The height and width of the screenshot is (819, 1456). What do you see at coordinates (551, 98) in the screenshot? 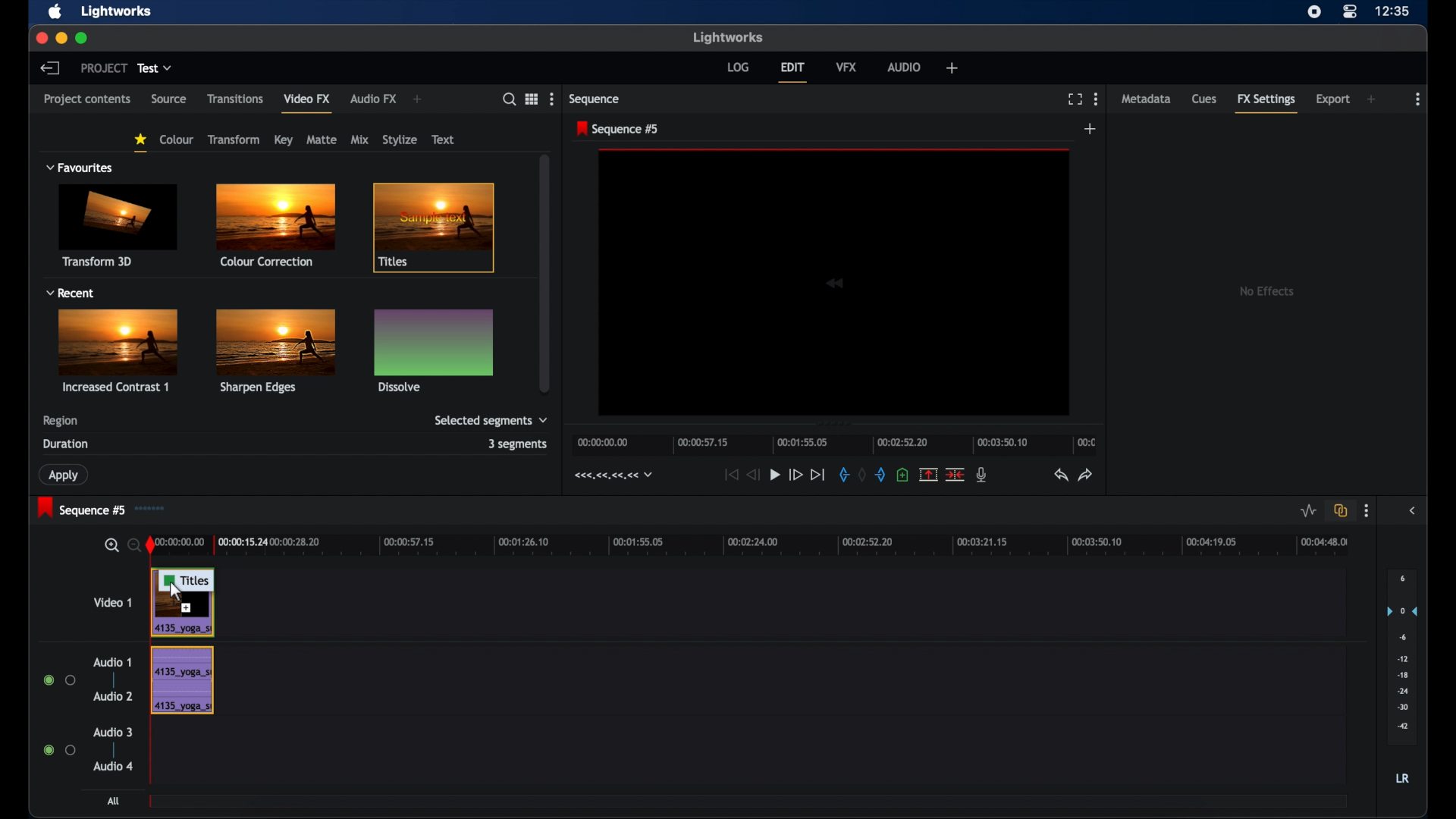
I see `more options` at bounding box center [551, 98].